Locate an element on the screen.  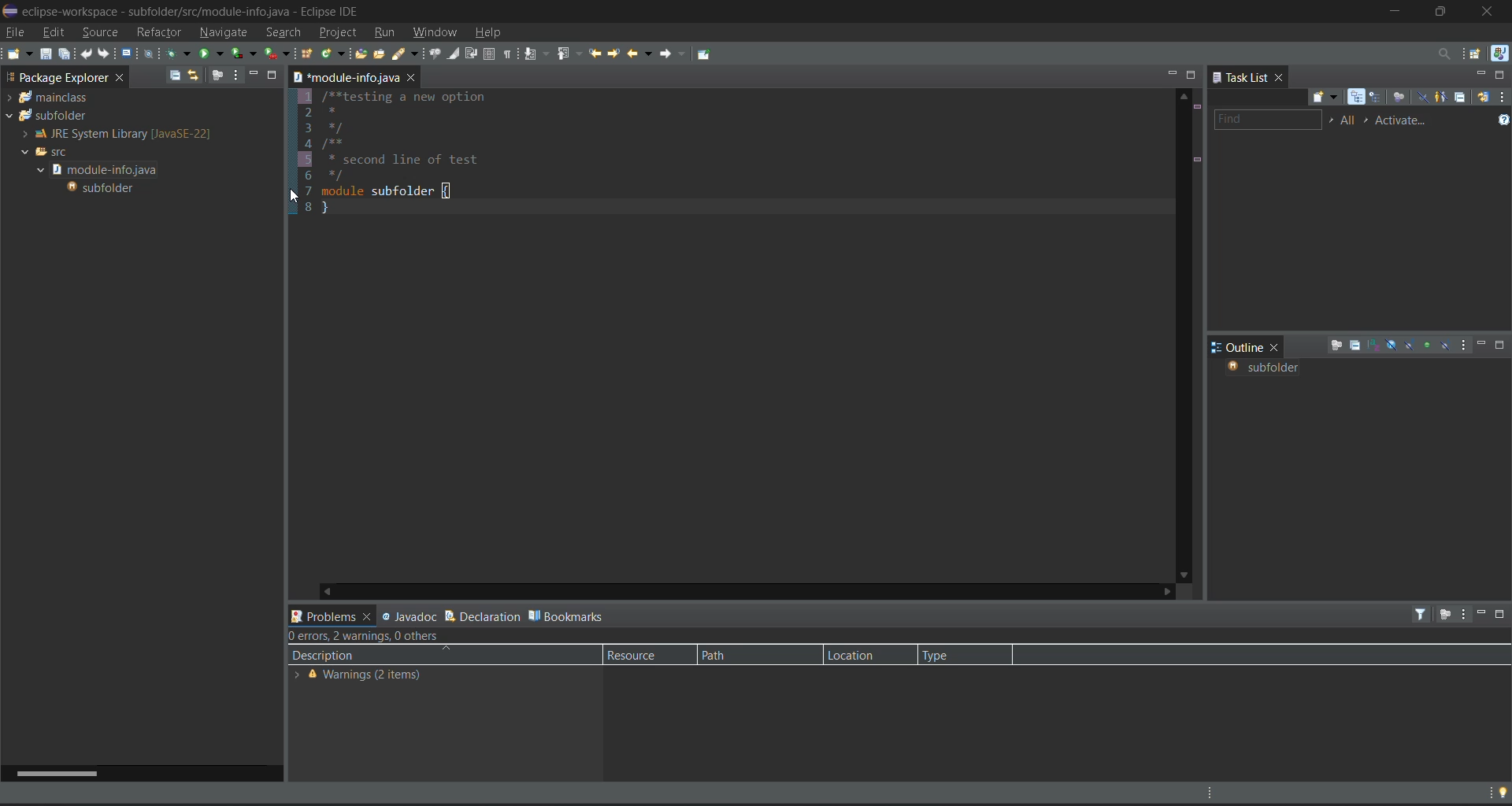
hide static fields and methods is located at coordinates (1410, 346).